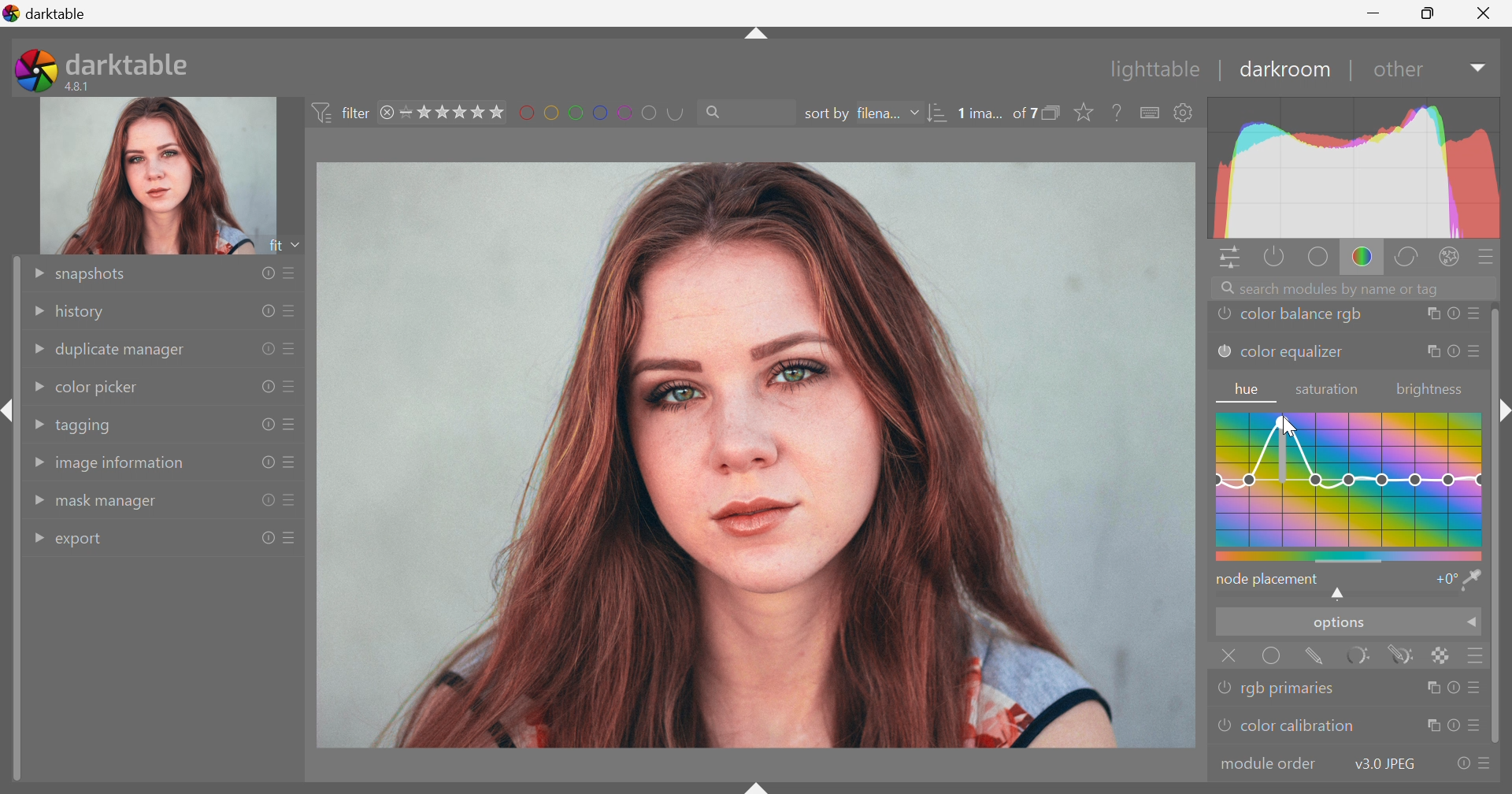 This screenshot has height=794, width=1512. I want to click on base, so click(1317, 258).